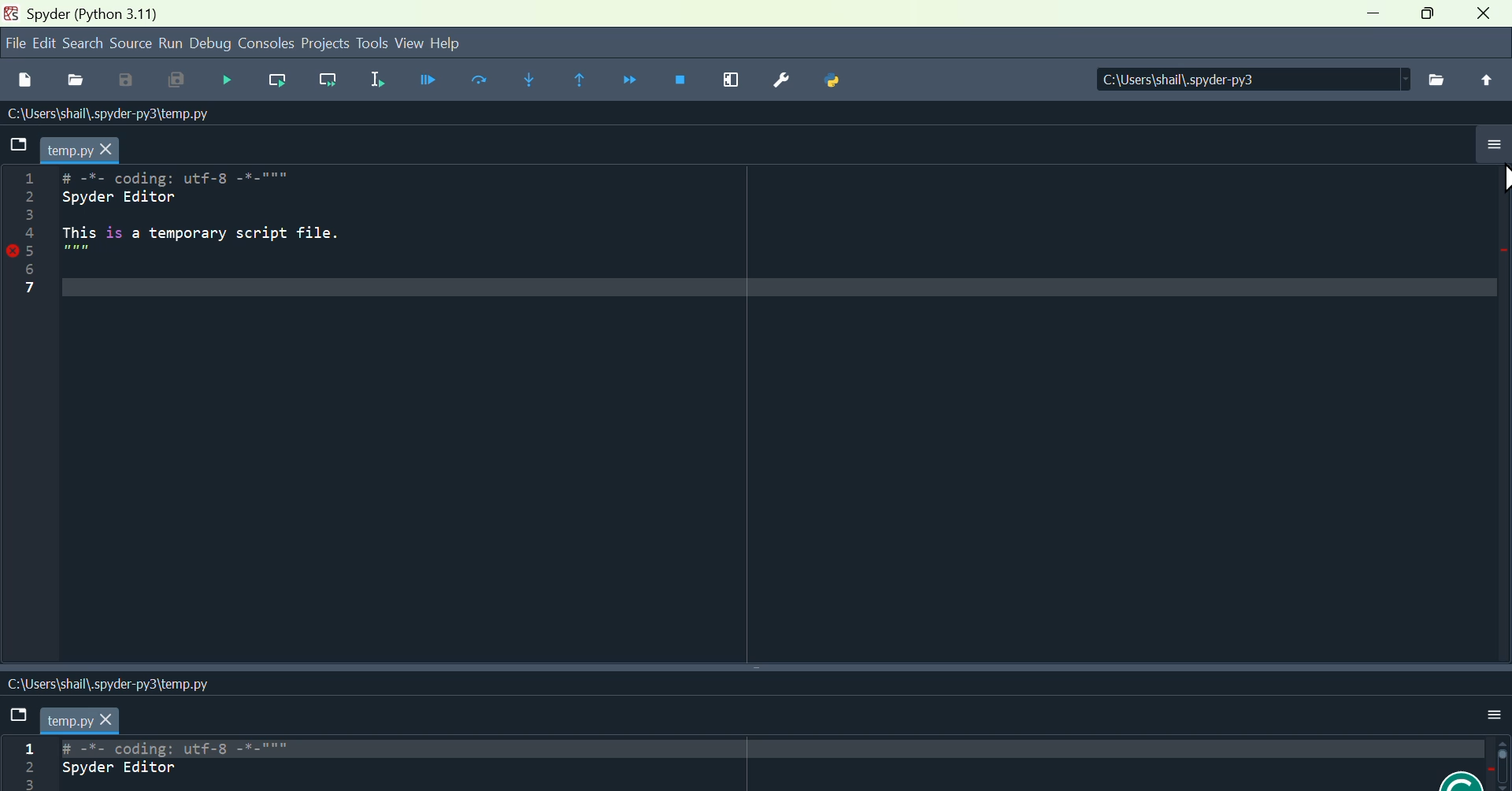  Describe the element at coordinates (636, 80) in the screenshot. I see `Continue execution until next function` at that location.